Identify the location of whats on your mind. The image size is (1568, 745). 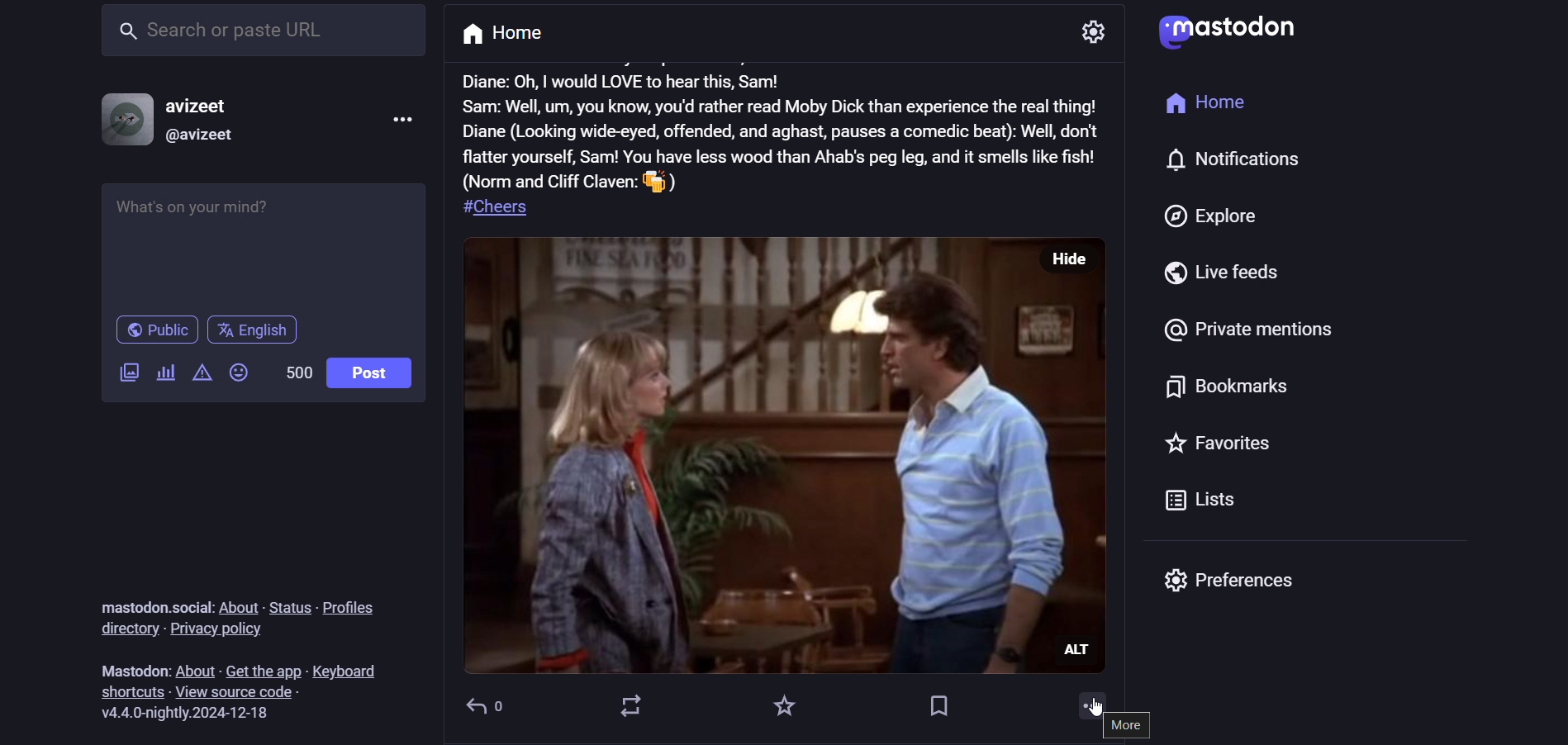
(262, 244).